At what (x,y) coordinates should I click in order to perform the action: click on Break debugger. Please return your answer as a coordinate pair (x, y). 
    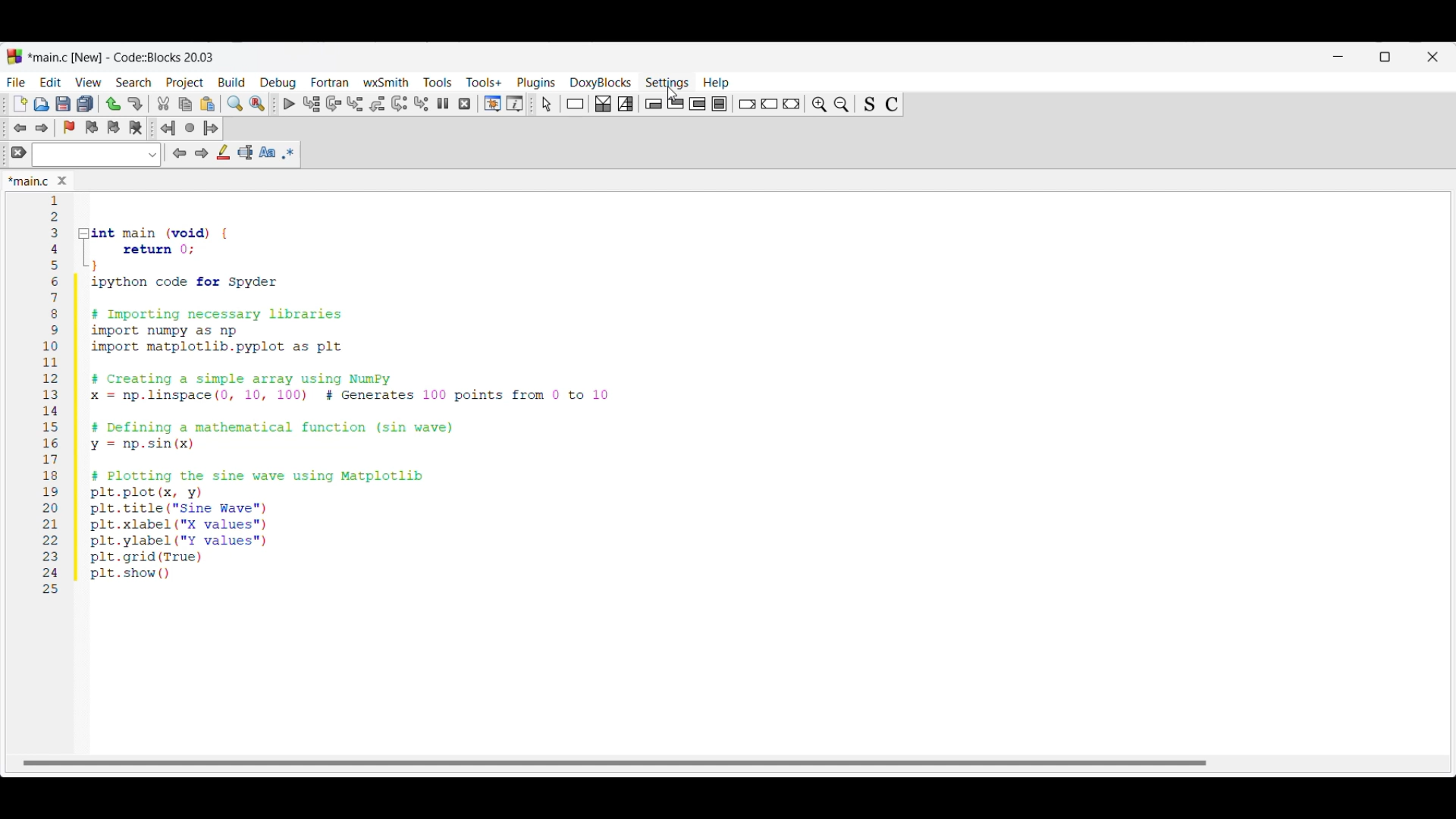
    Looking at the image, I should click on (442, 103).